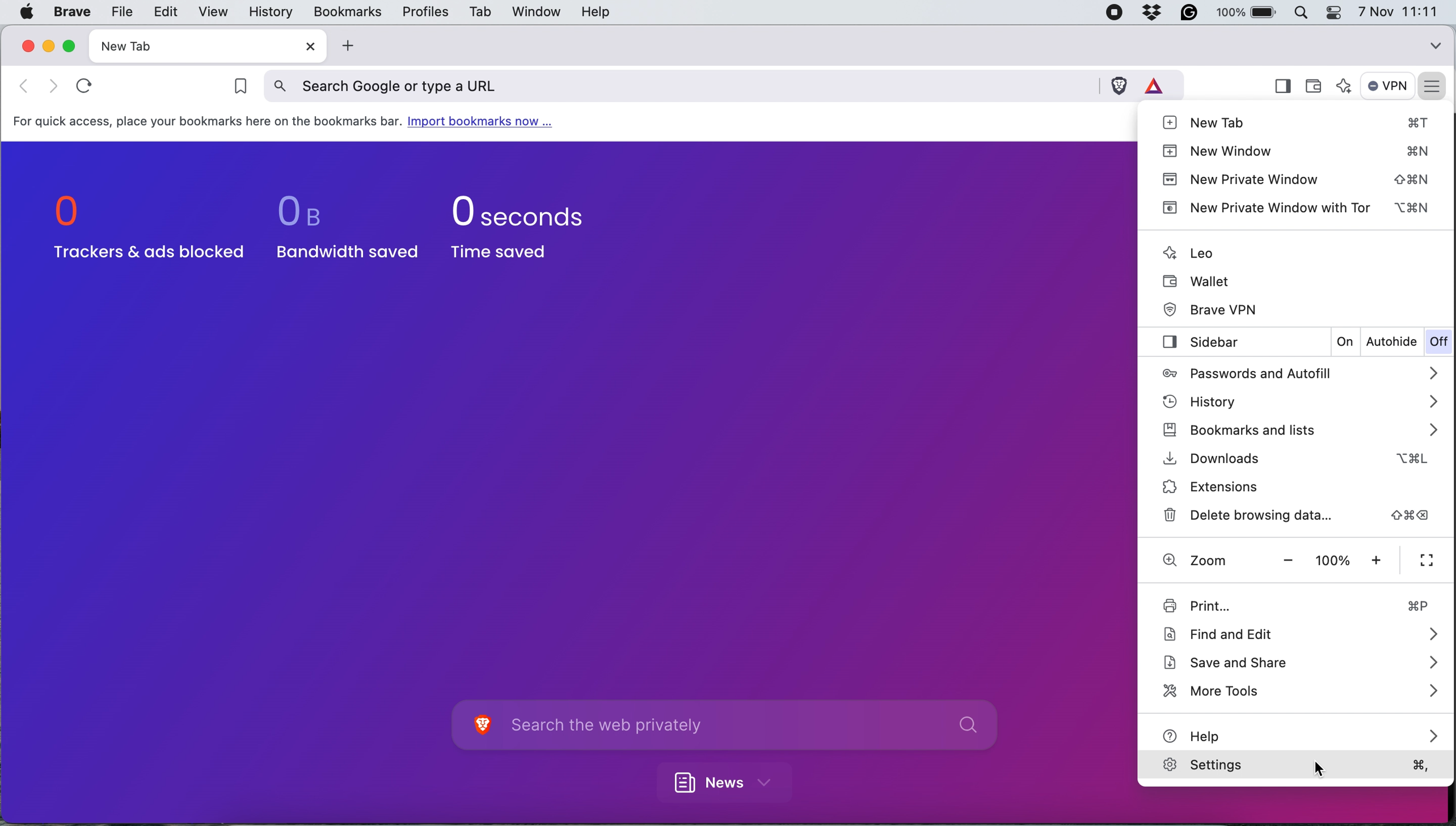 The height and width of the screenshot is (826, 1456). Describe the element at coordinates (119, 12) in the screenshot. I see `file` at that location.